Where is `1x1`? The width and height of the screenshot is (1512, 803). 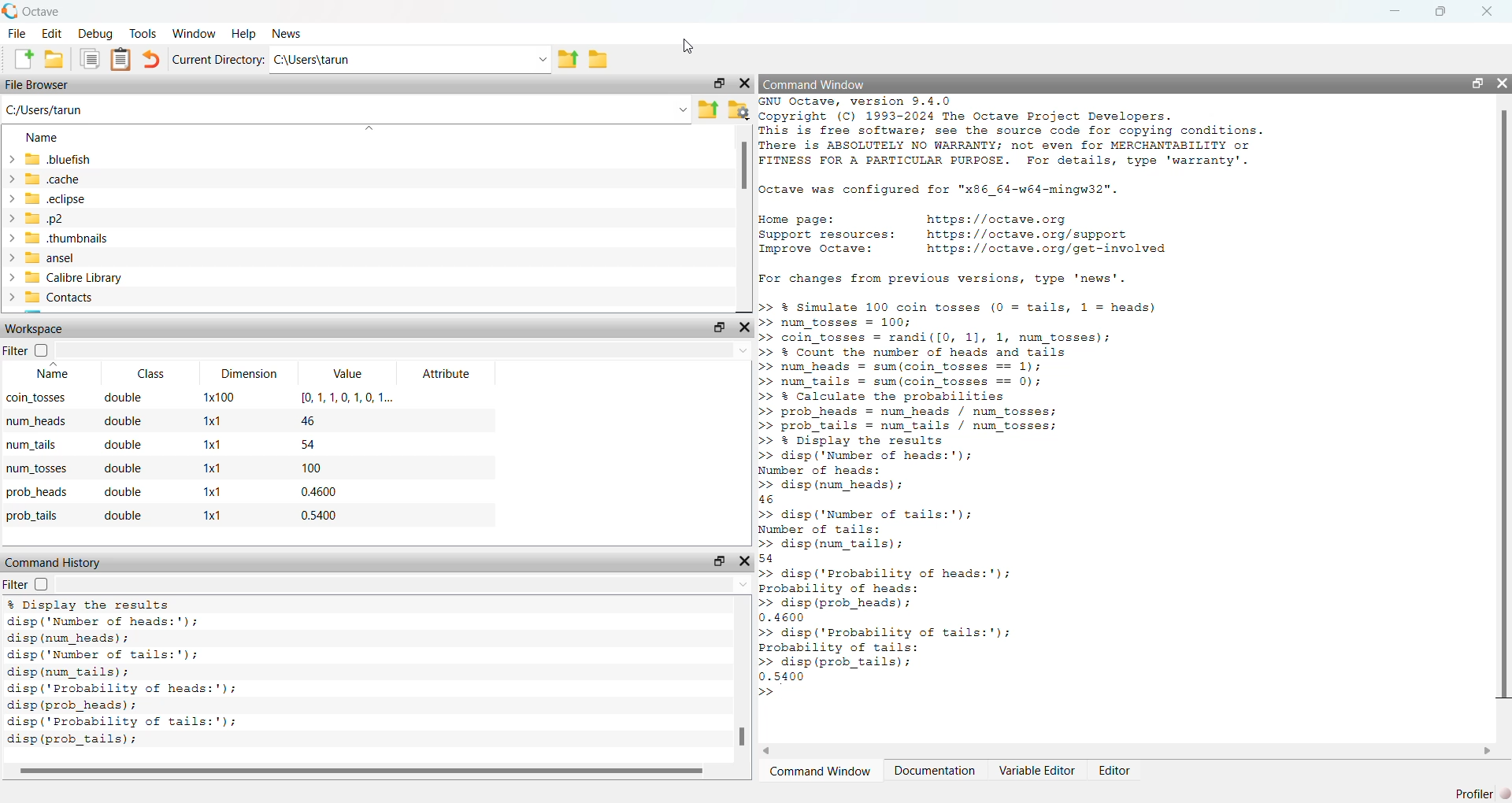 1x1 is located at coordinates (213, 468).